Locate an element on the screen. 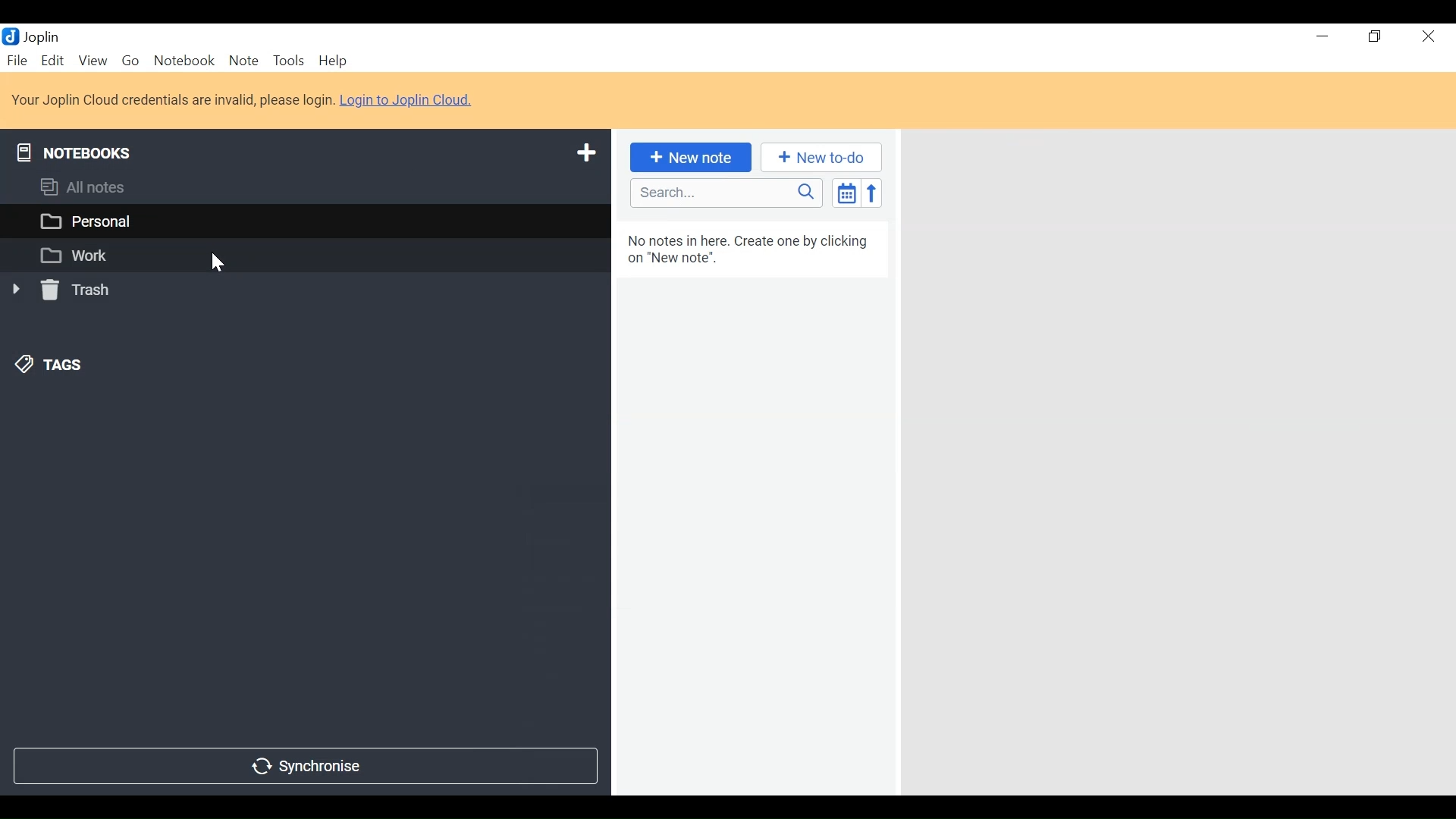 The width and height of the screenshot is (1456, 819). Search is located at coordinates (726, 193).